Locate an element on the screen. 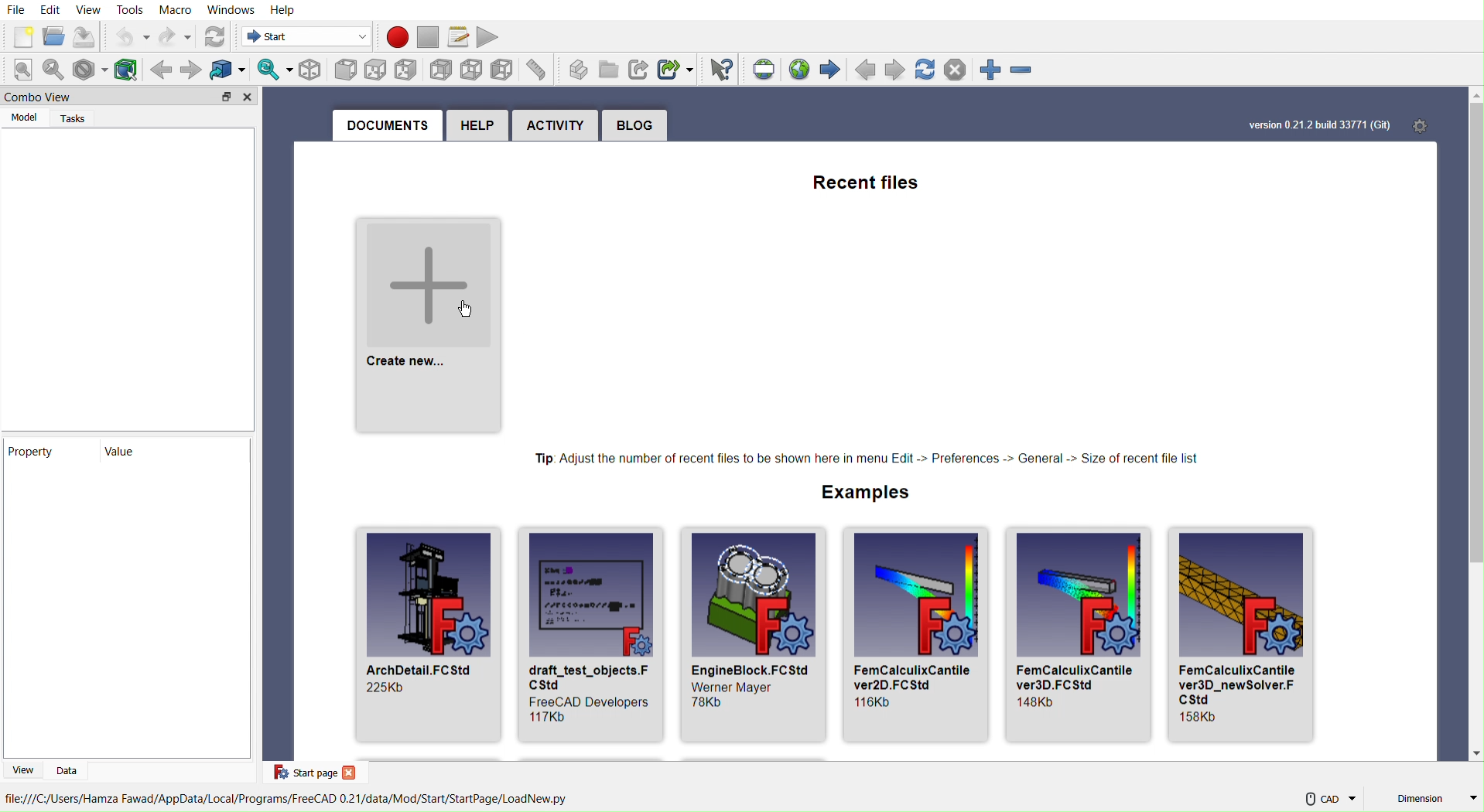 The height and width of the screenshot is (812, 1484). Create sub-object is located at coordinates (676, 69).